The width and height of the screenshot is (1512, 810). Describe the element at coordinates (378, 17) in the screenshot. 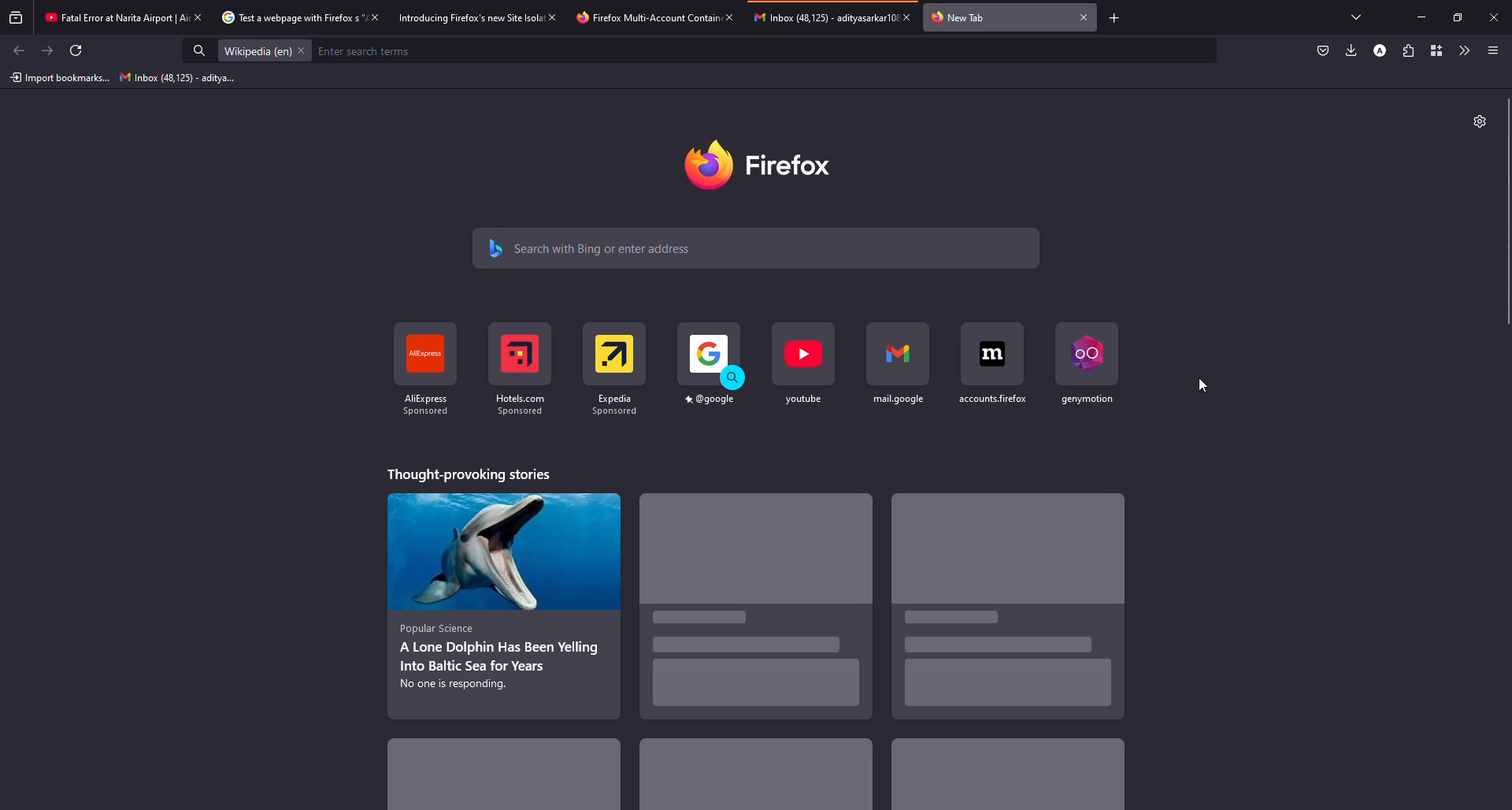

I see `close` at that location.